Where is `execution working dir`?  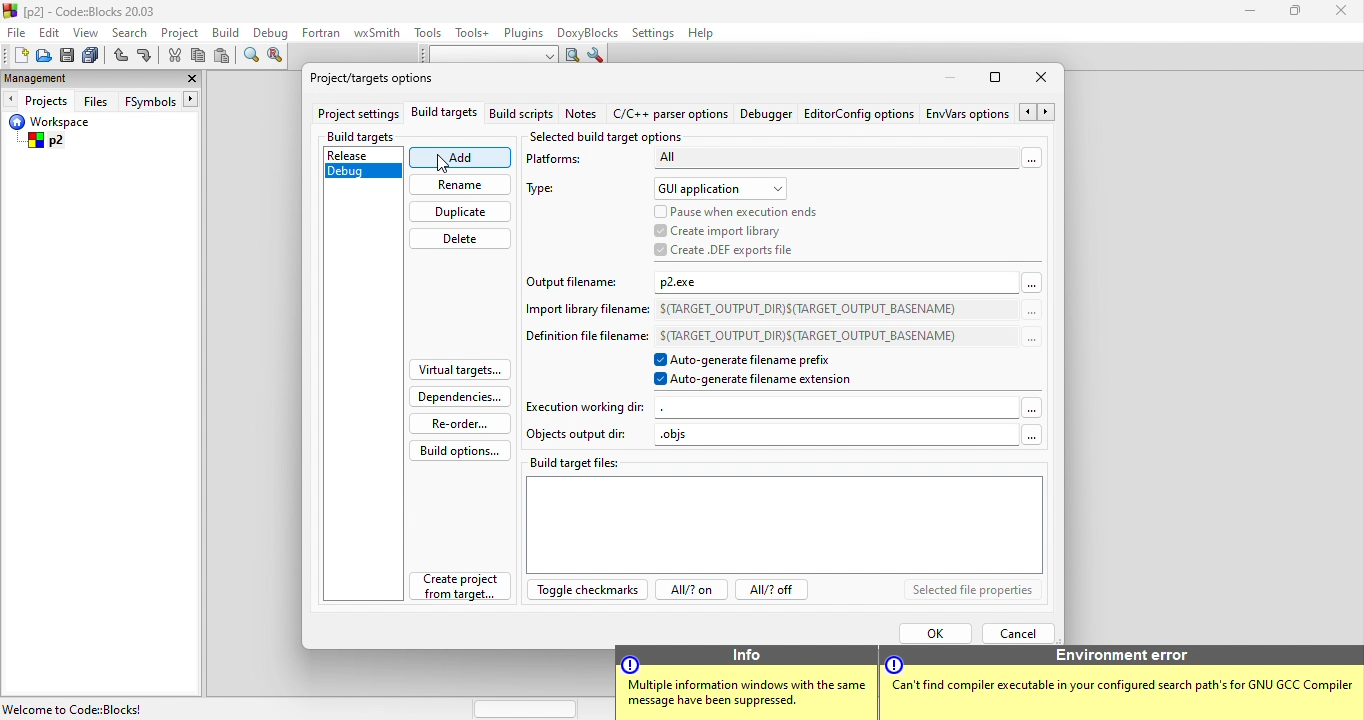 execution working dir is located at coordinates (788, 407).